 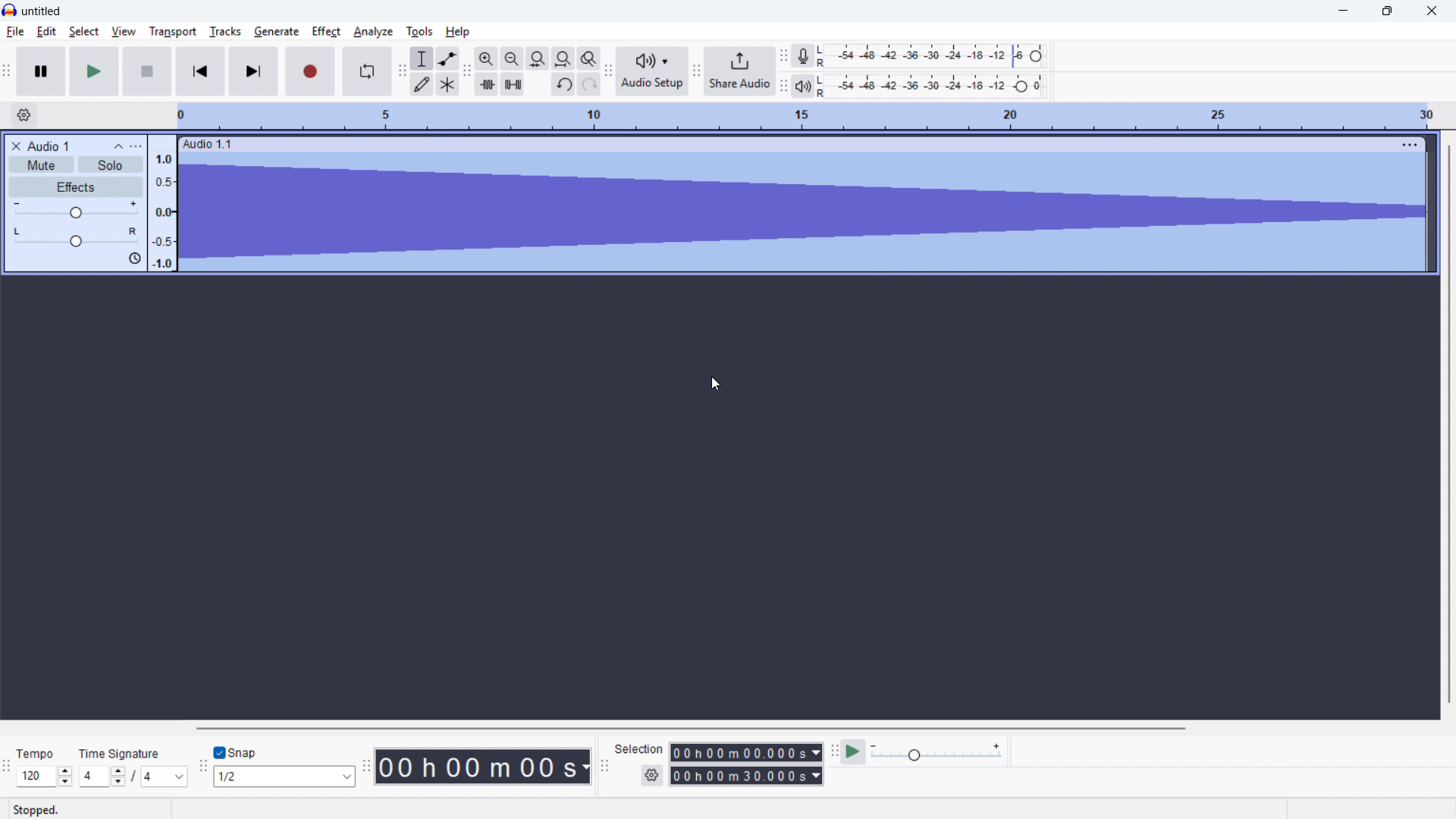 What do you see at coordinates (512, 58) in the screenshot?
I see `Zoom out ` at bounding box center [512, 58].